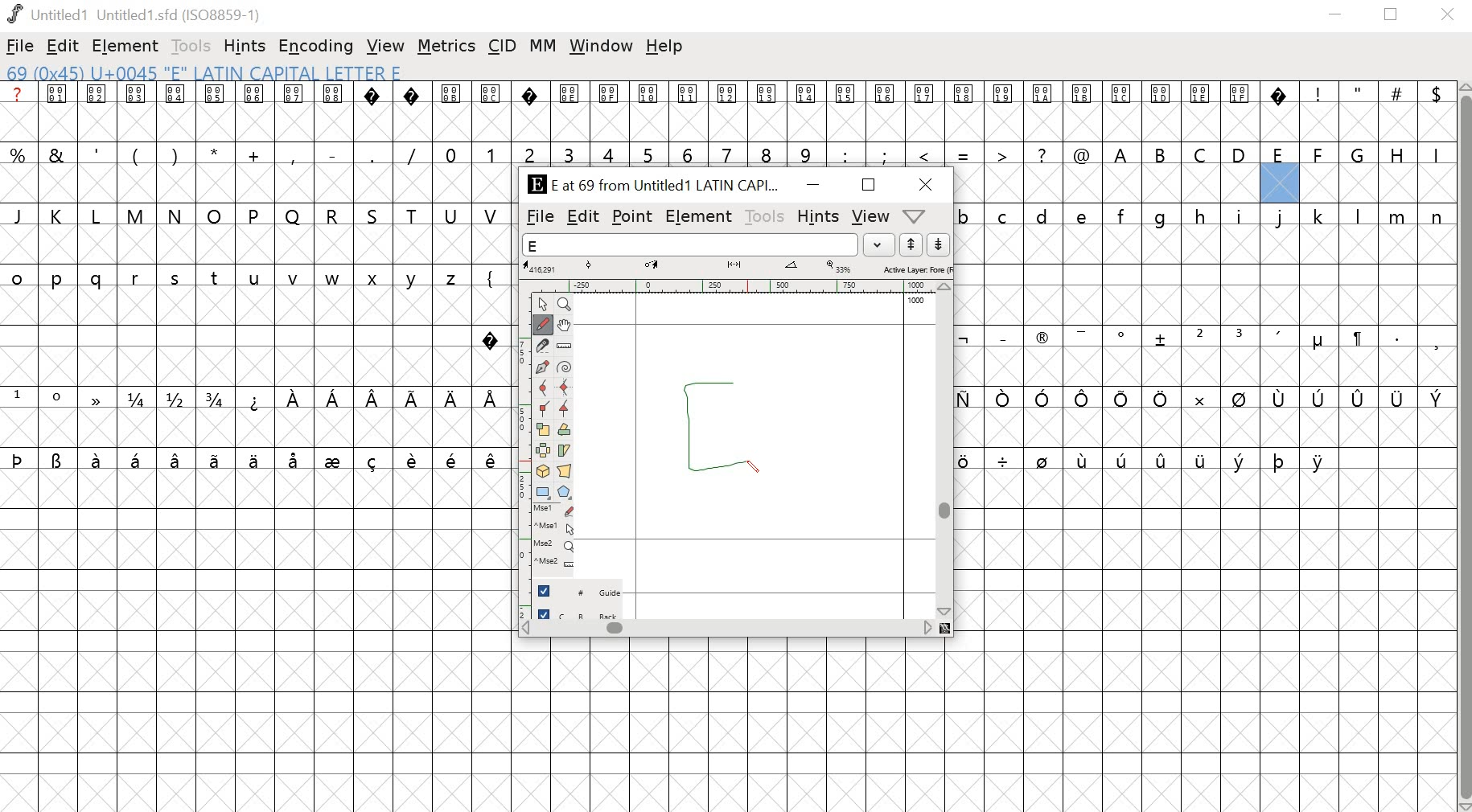 The height and width of the screenshot is (812, 1472). Describe the element at coordinates (566, 473) in the screenshot. I see `Perspective` at that location.